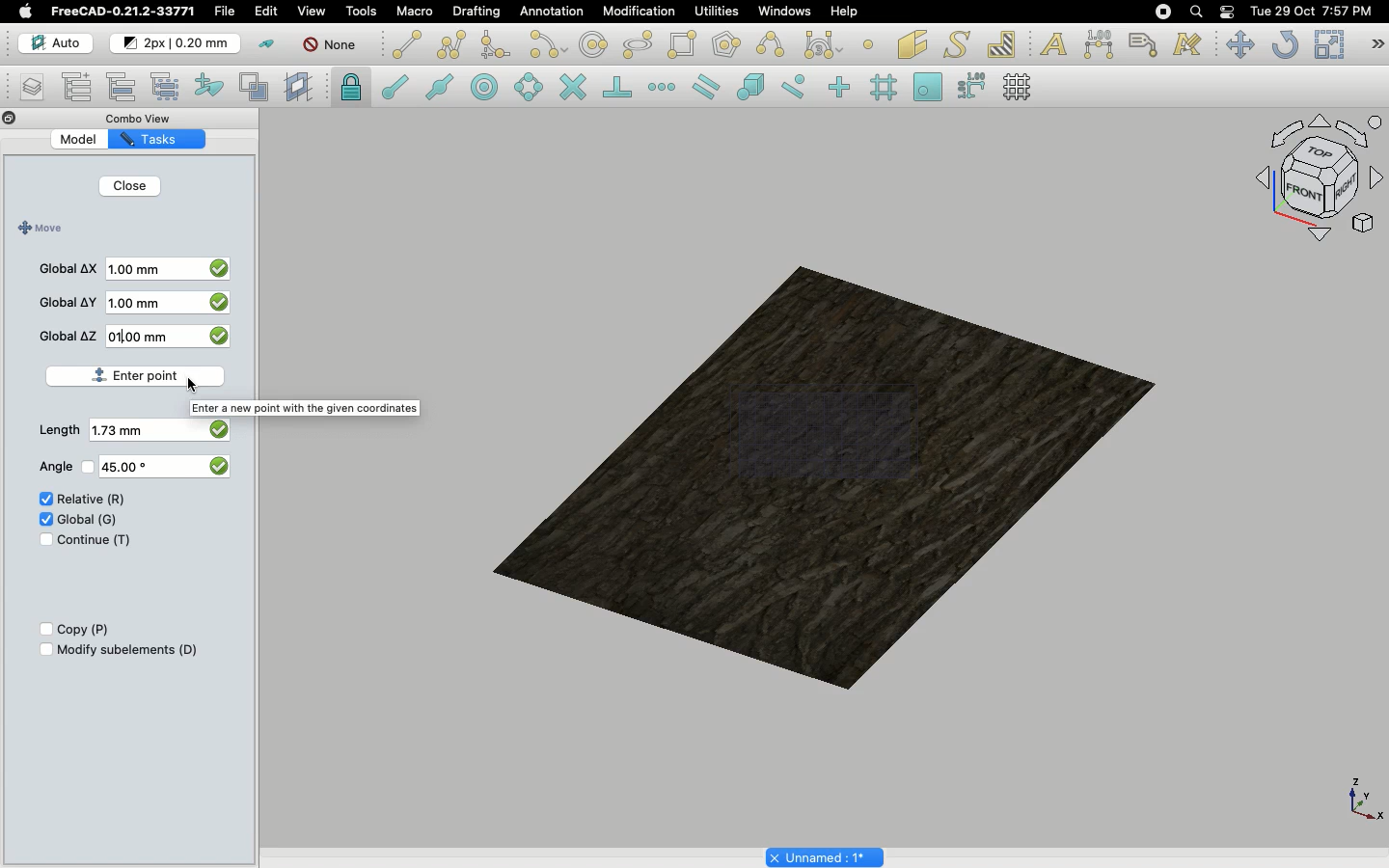 This screenshot has width=1389, height=868. What do you see at coordinates (552, 11) in the screenshot?
I see `Annotation` at bounding box center [552, 11].